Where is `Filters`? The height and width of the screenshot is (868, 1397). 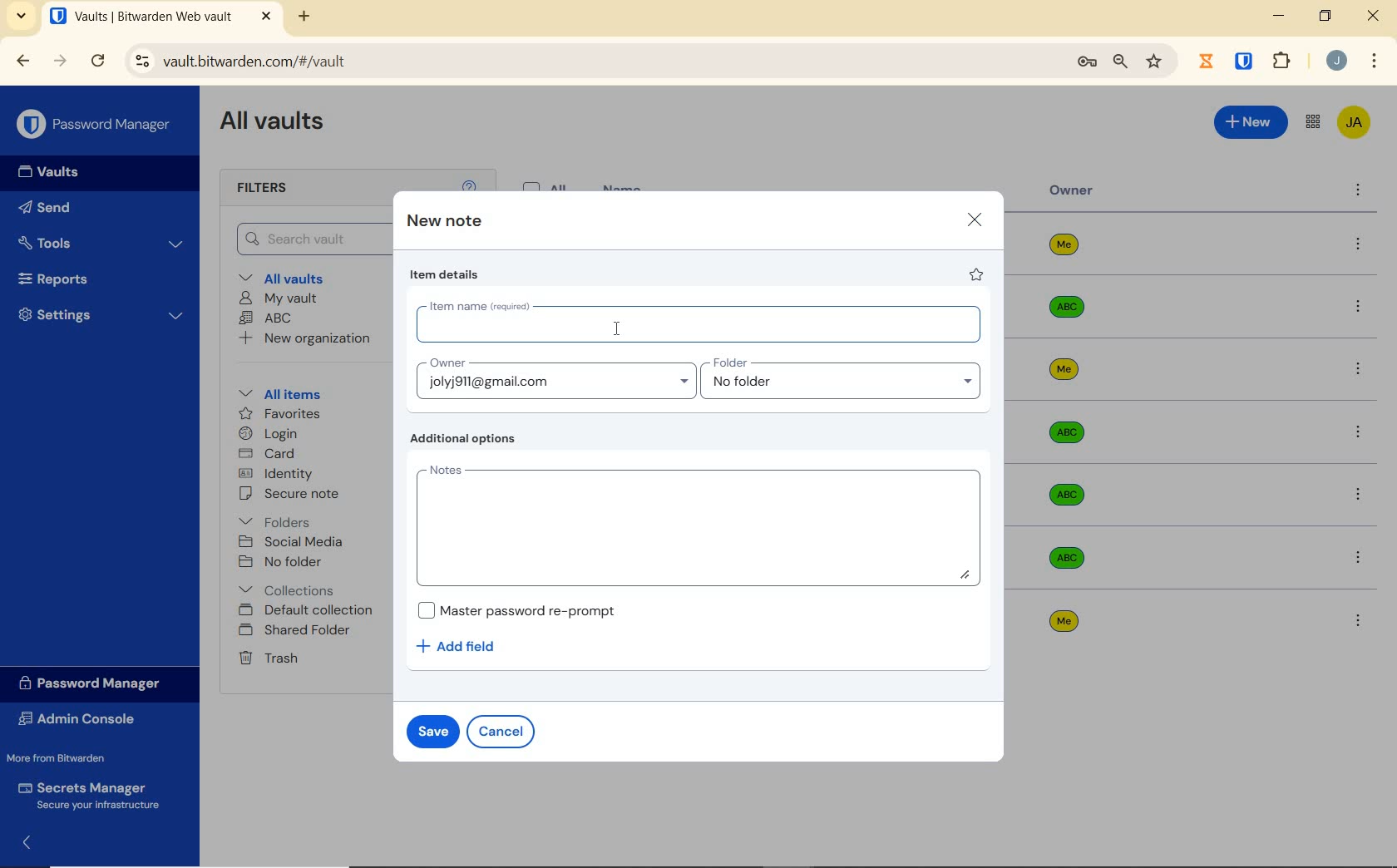
Filters is located at coordinates (265, 189).